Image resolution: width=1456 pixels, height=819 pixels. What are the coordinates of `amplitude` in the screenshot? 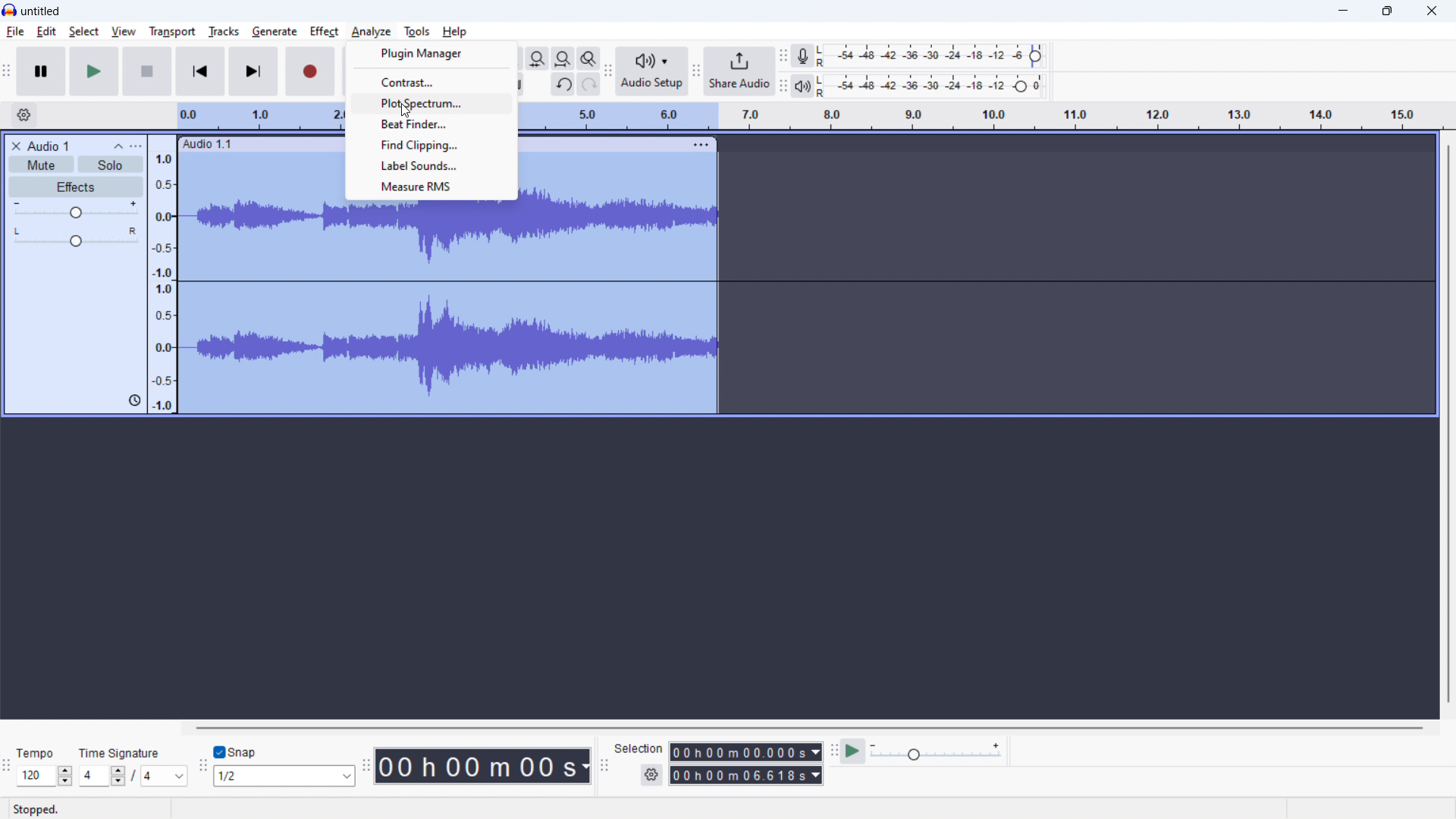 It's located at (163, 274).